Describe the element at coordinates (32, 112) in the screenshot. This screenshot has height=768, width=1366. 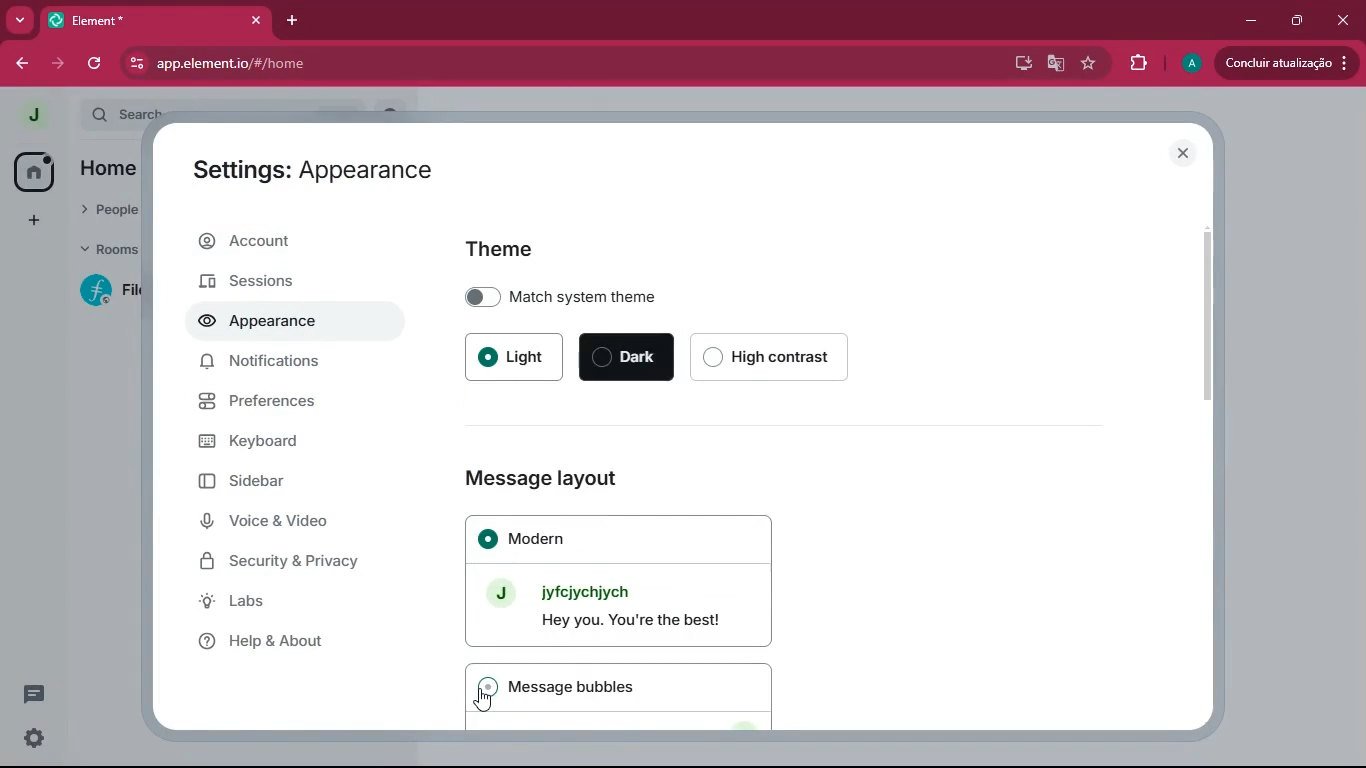
I see `profile picture` at that location.